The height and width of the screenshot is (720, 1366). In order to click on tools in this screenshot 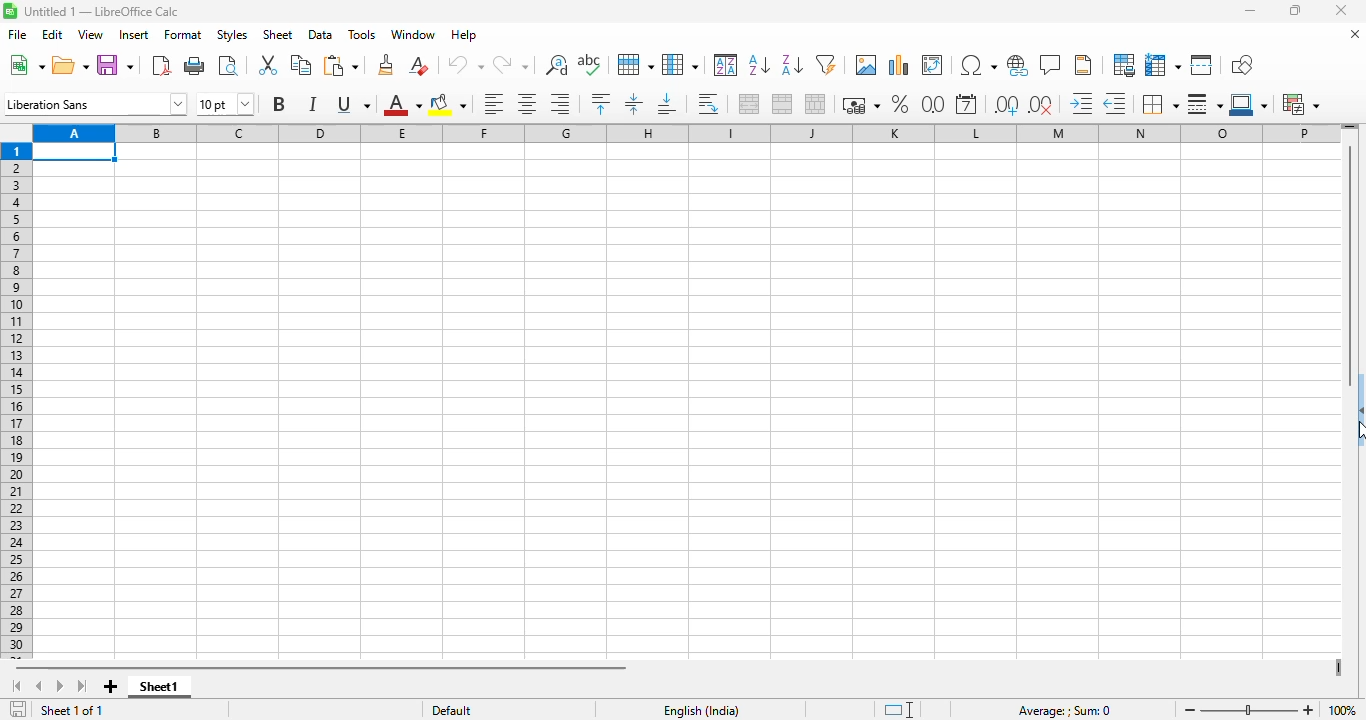, I will do `click(362, 35)`.